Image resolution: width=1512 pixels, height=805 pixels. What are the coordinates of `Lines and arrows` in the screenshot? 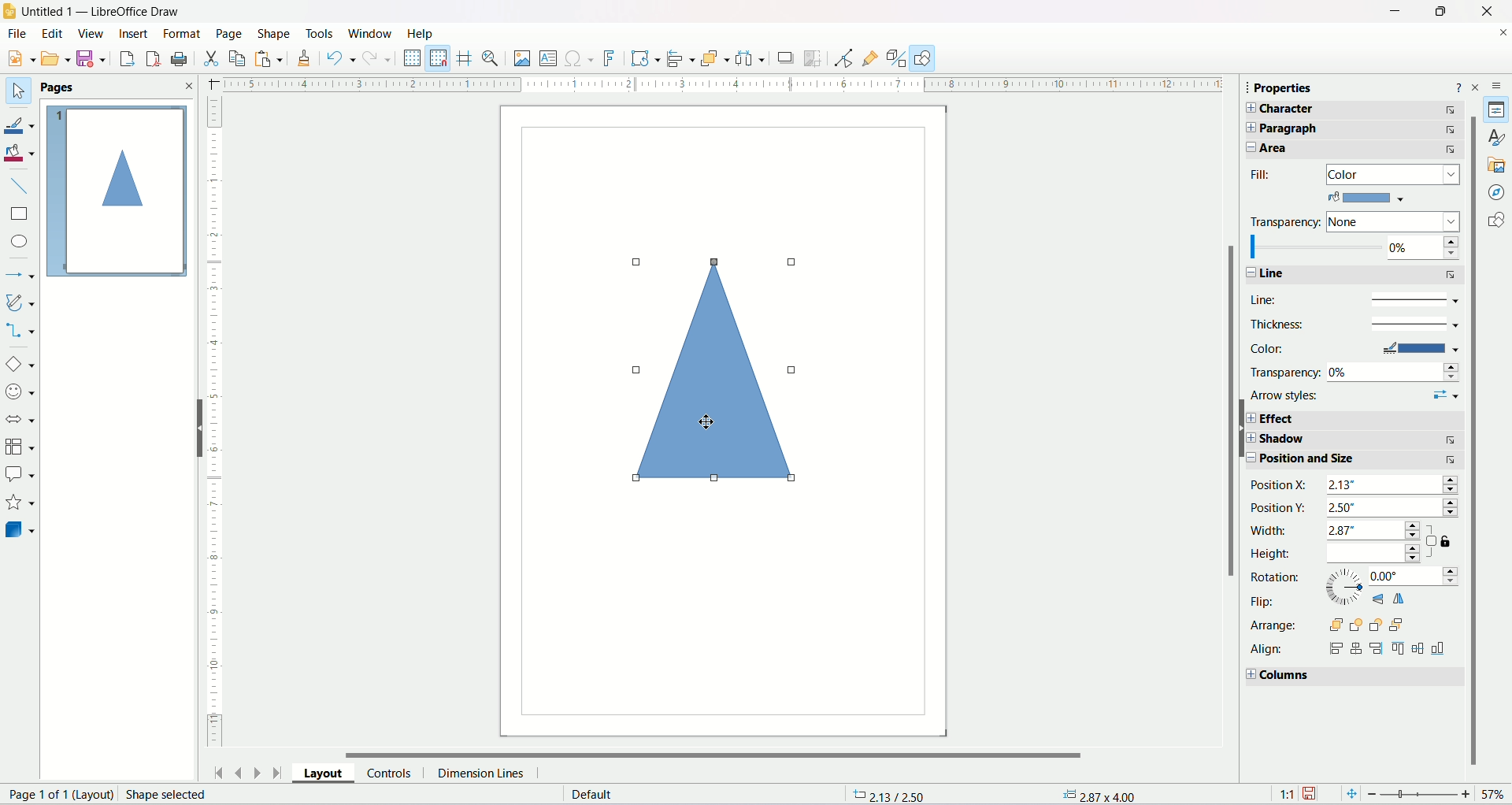 It's located at (20, 273).